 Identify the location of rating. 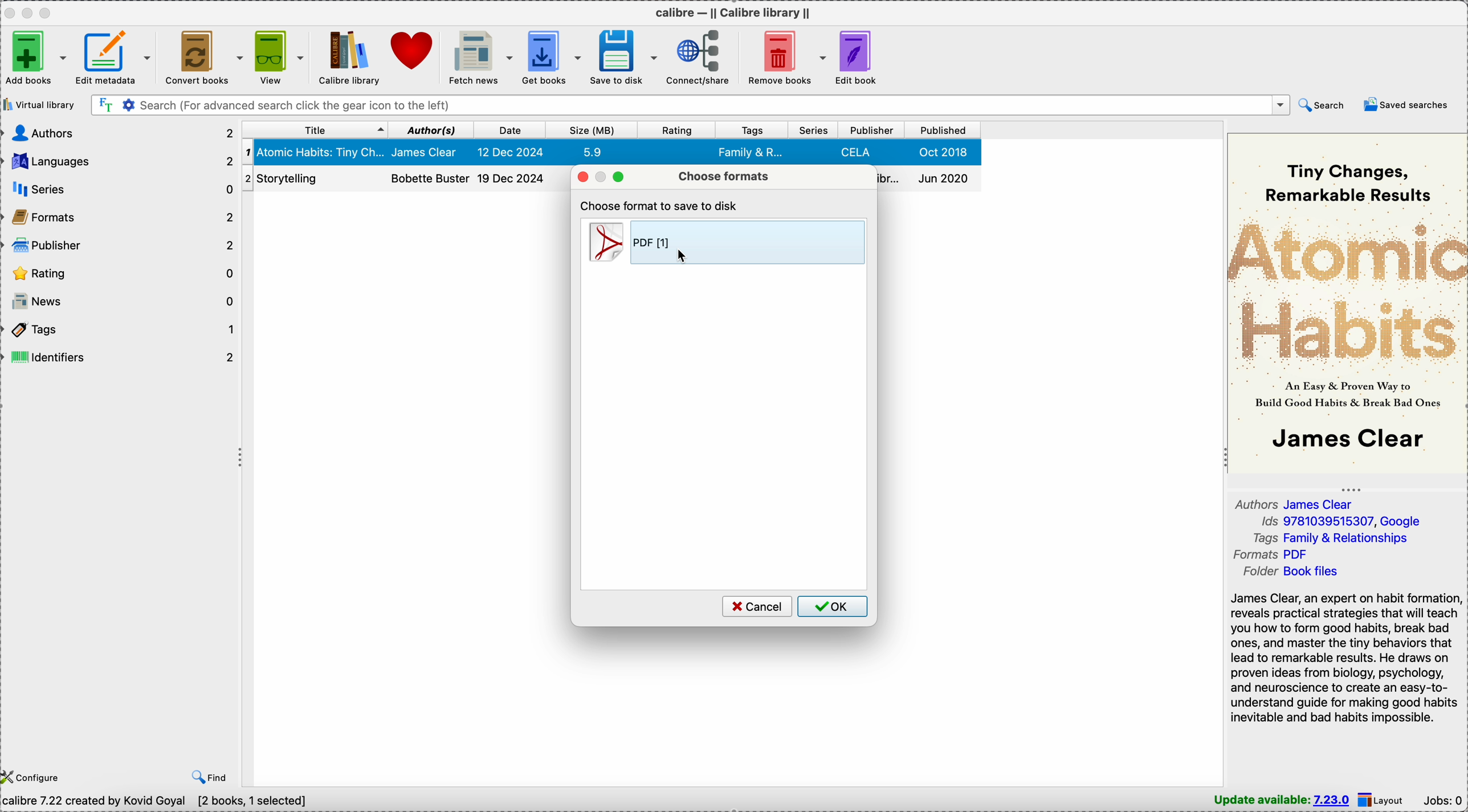
(121, 274).